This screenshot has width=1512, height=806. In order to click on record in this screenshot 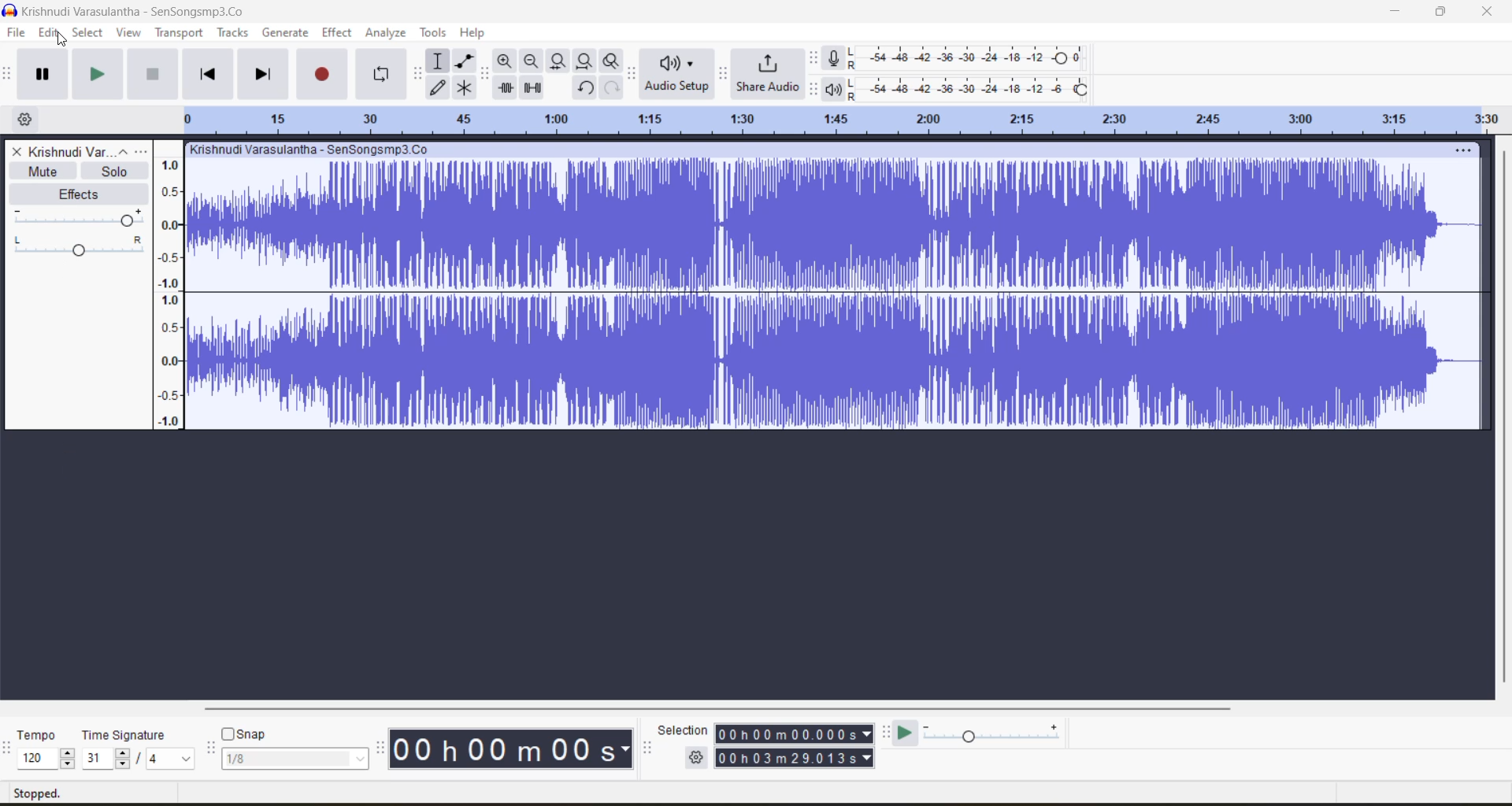, I will do `click(324, 73)`.